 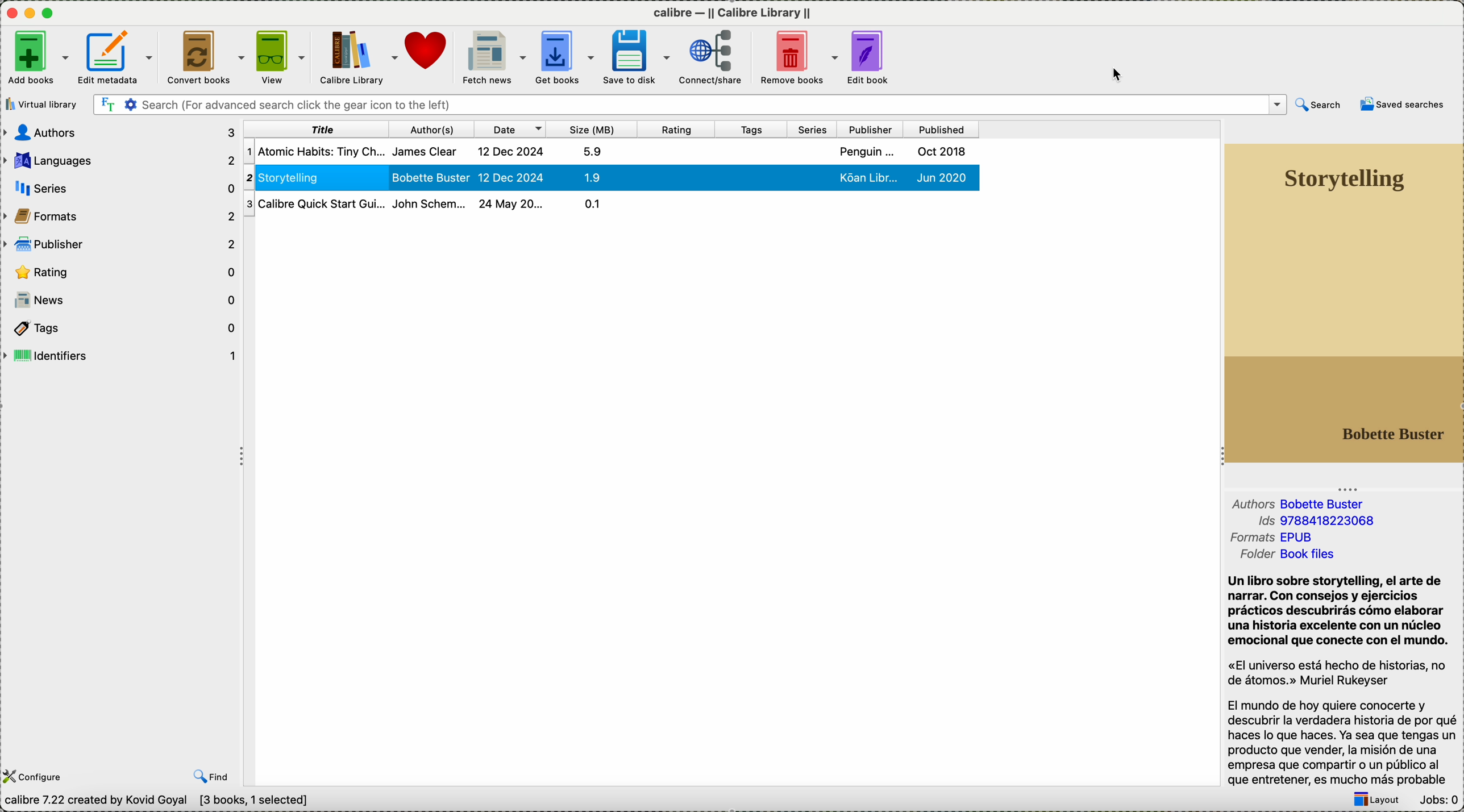 What do you see at coordinates (122, 187) in the screenshot?
I see `series` at bounding box center [122, 187].